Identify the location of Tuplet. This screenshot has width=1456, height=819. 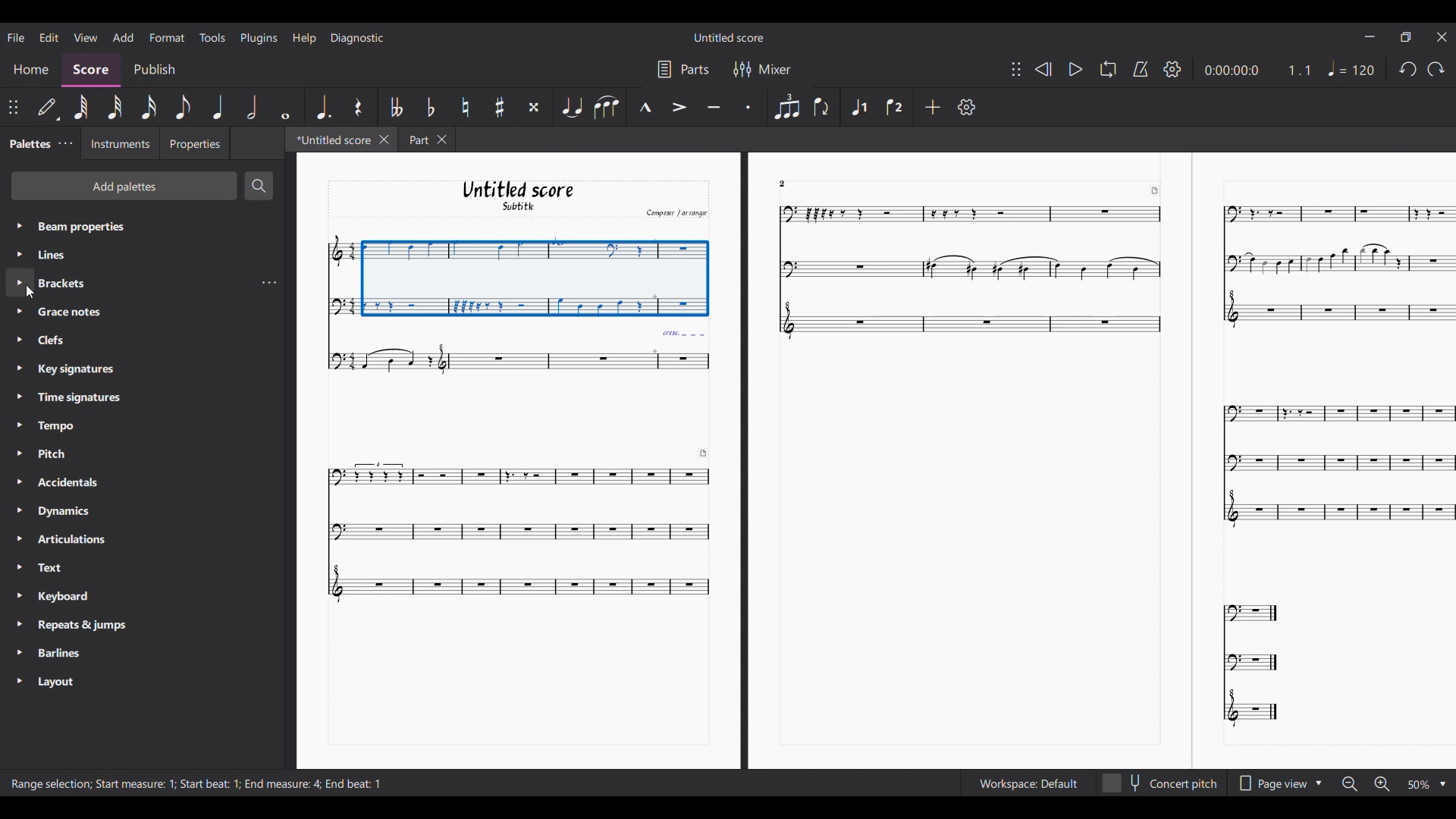
(786, 106).